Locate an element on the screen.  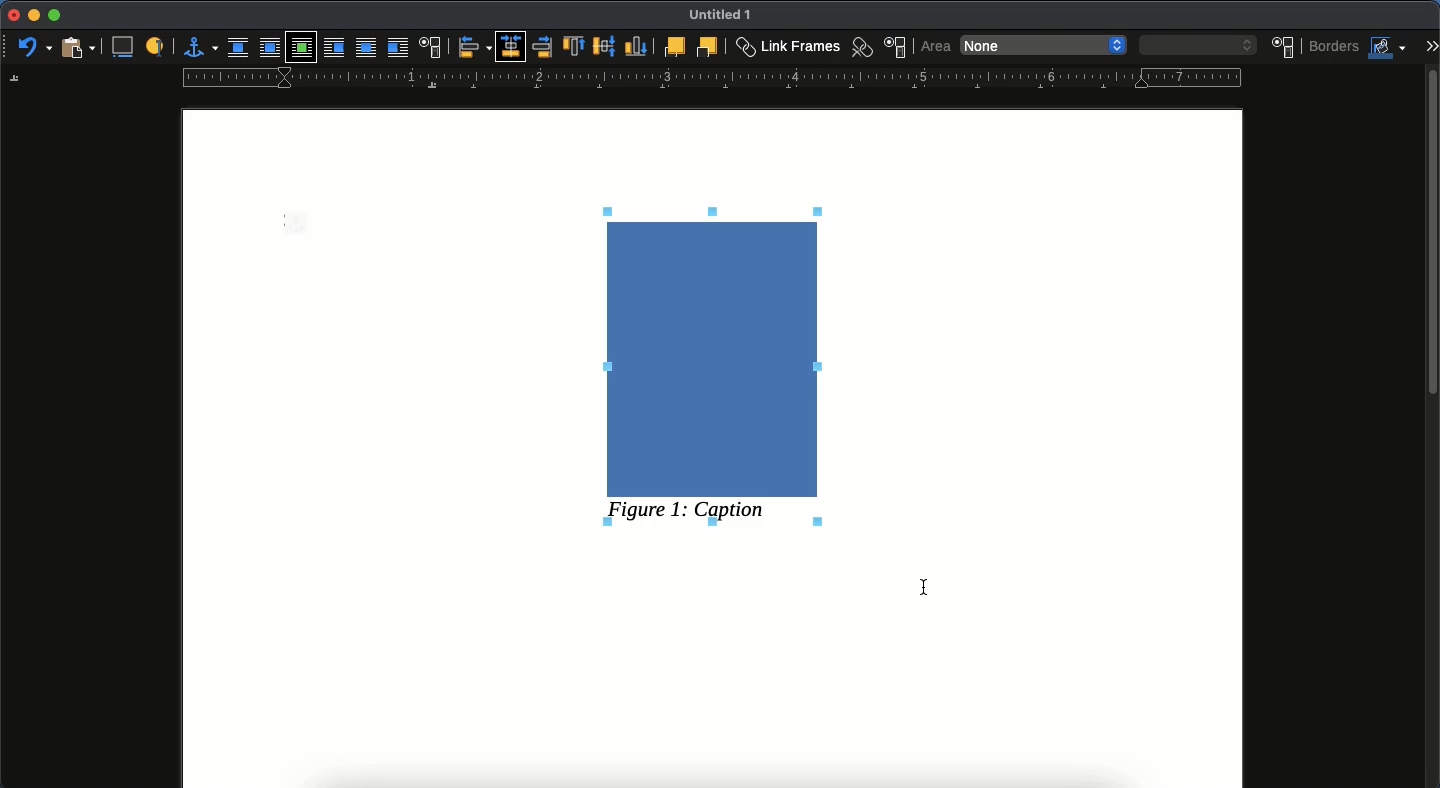
minimize is located at coordinates (31, 15).